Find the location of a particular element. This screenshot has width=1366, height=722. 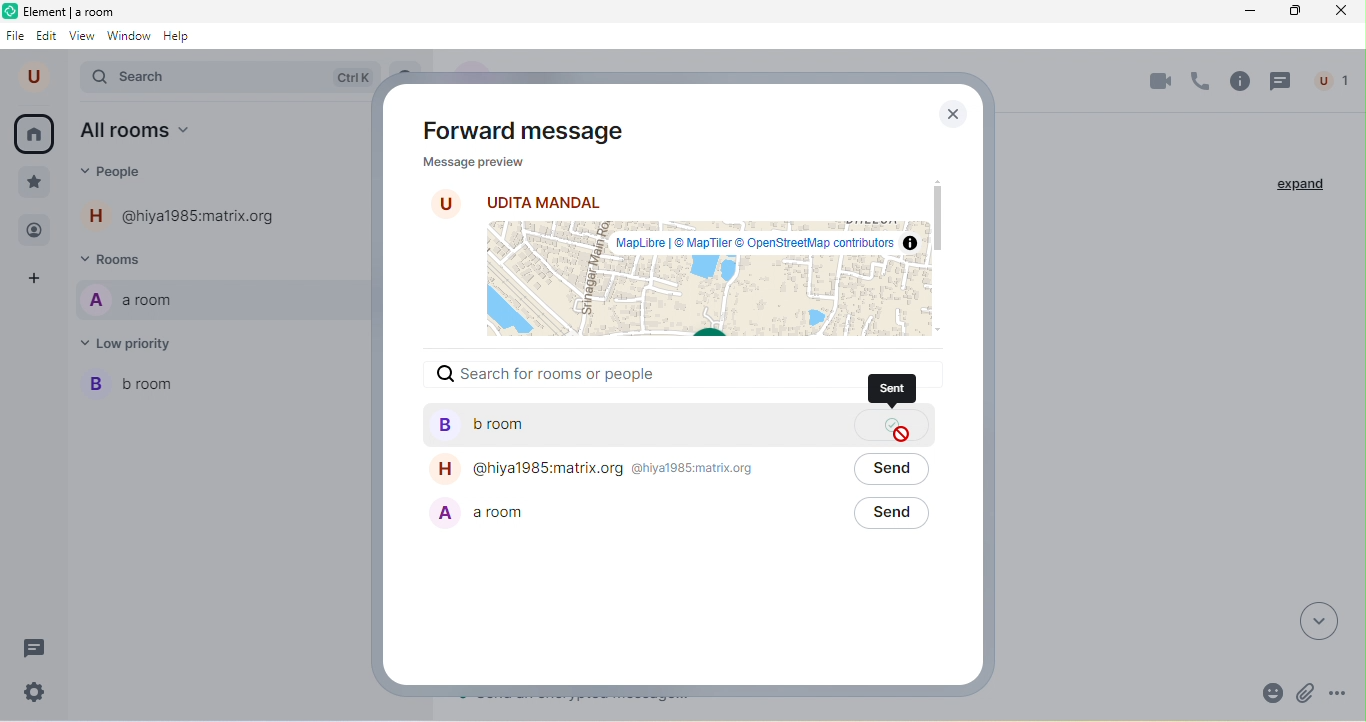

people is located at coordinates (35, 234).